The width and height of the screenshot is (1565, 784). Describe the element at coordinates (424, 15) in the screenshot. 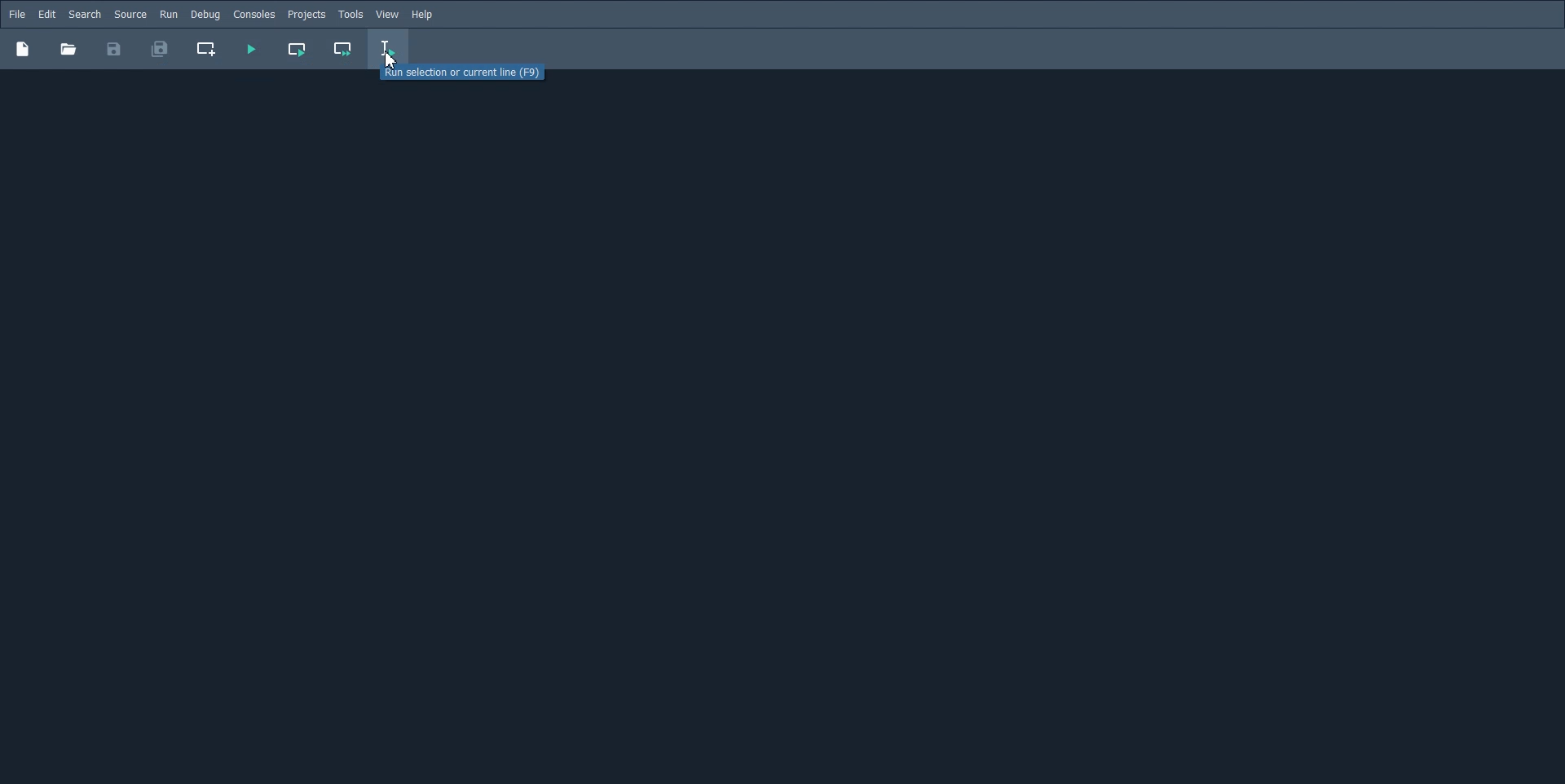

I see `Help` at that location.